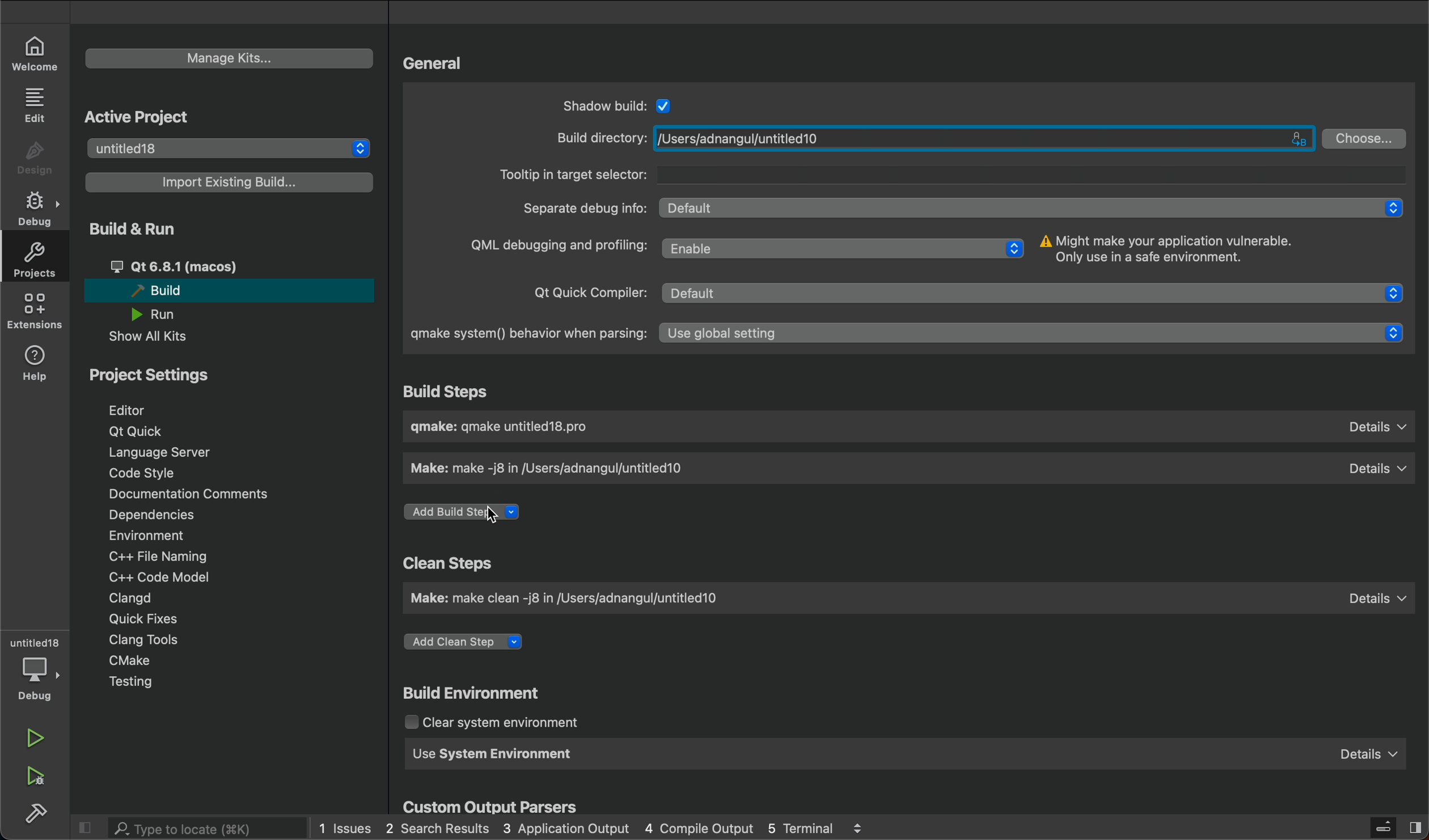 The image size is (1429, 840). I want to click on Editor, so click(129, 409).